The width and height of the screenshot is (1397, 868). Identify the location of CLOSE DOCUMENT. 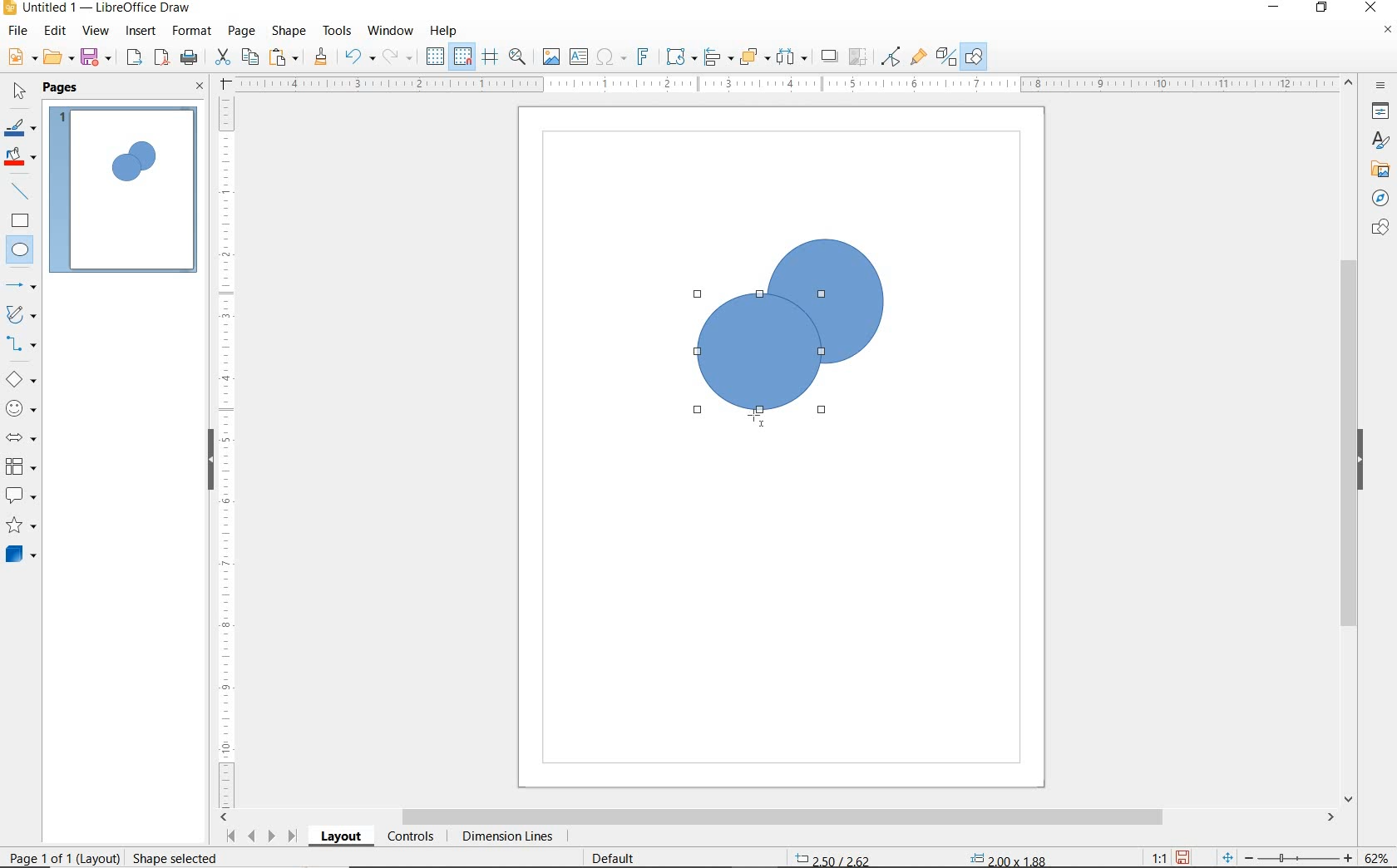
(1387, 32).